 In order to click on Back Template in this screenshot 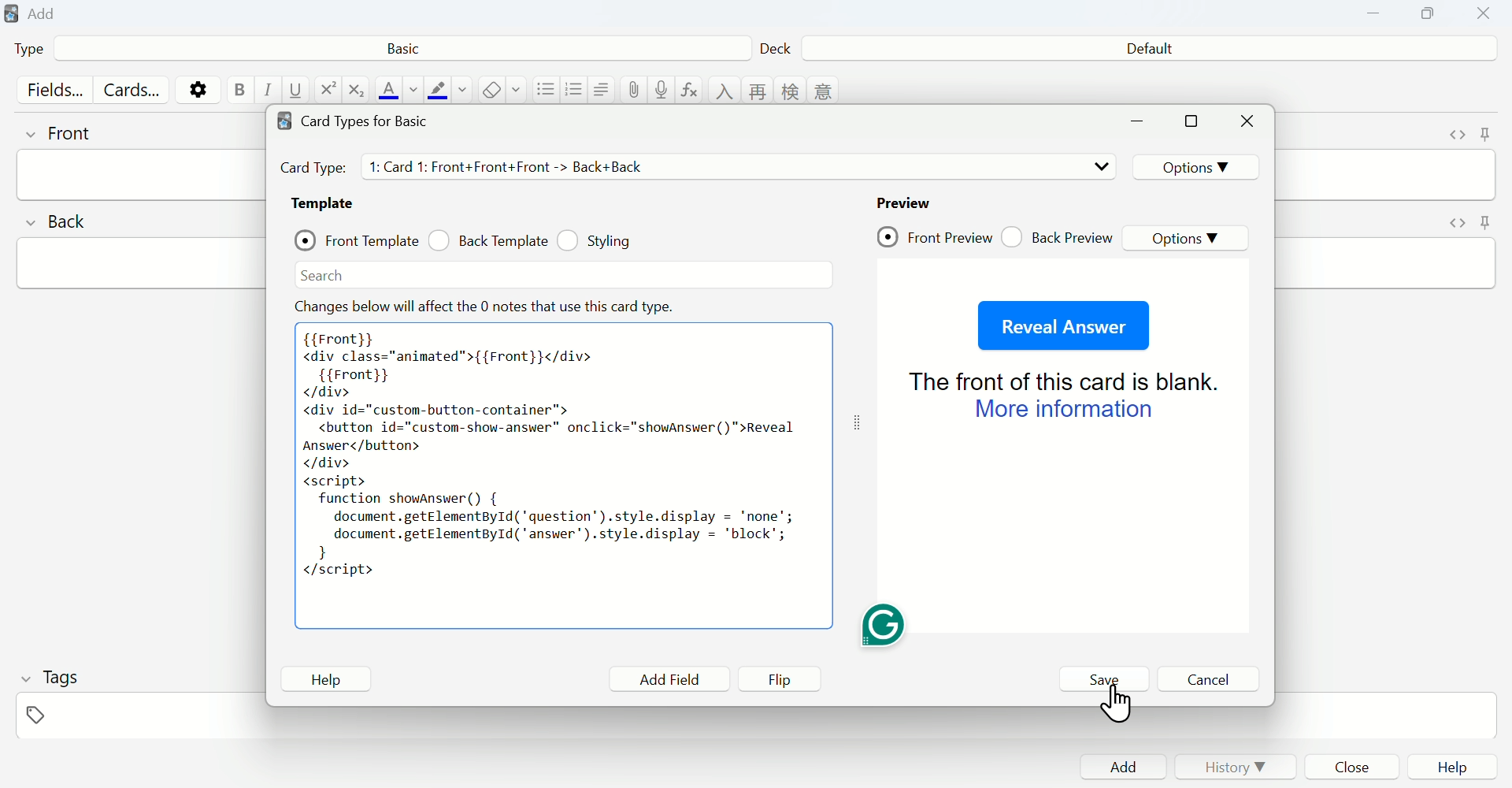, I will do `click(487, 240)`.